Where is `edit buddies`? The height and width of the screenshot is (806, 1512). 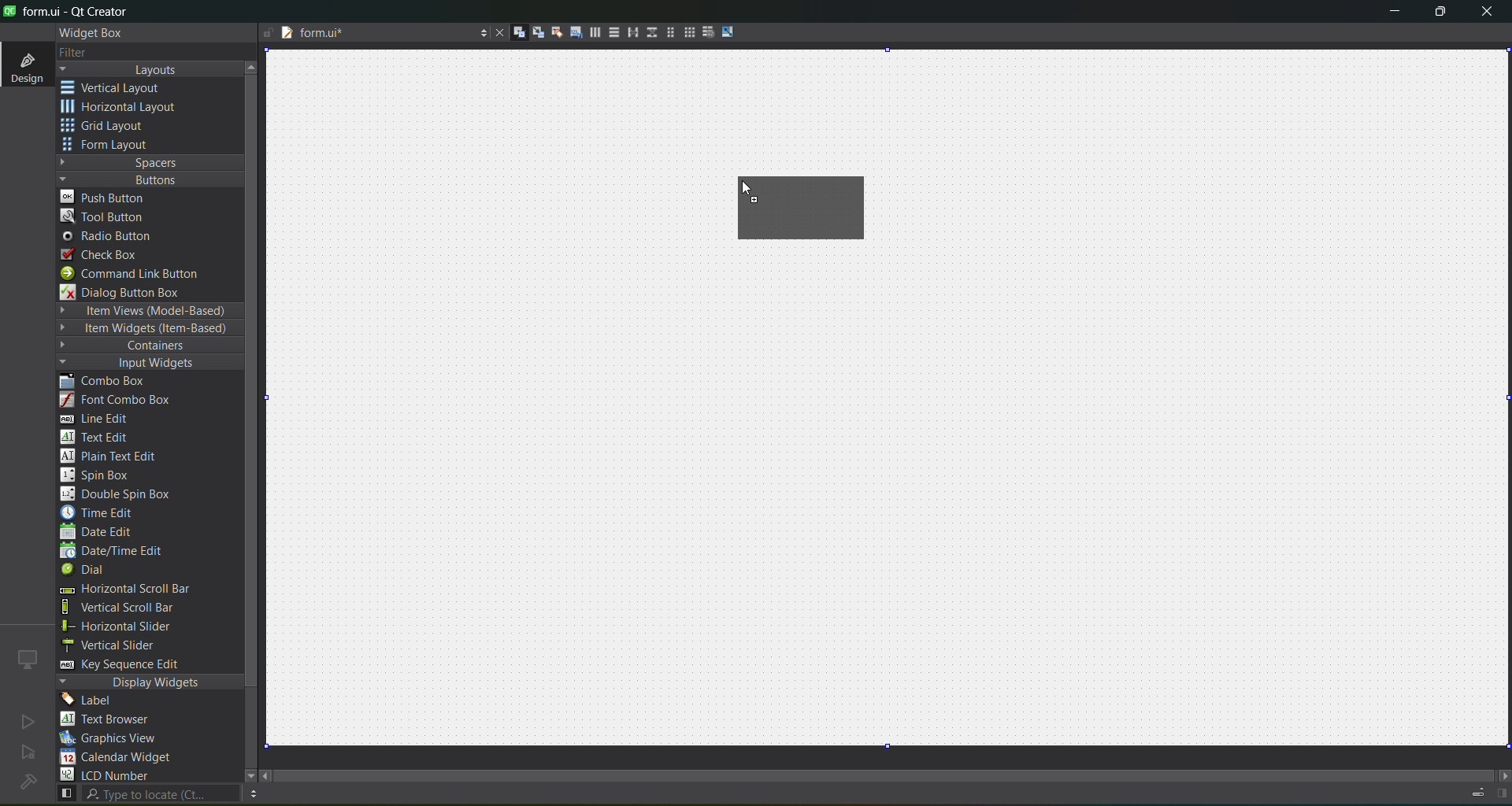 edit buddies is located at coordinates (551, 32).